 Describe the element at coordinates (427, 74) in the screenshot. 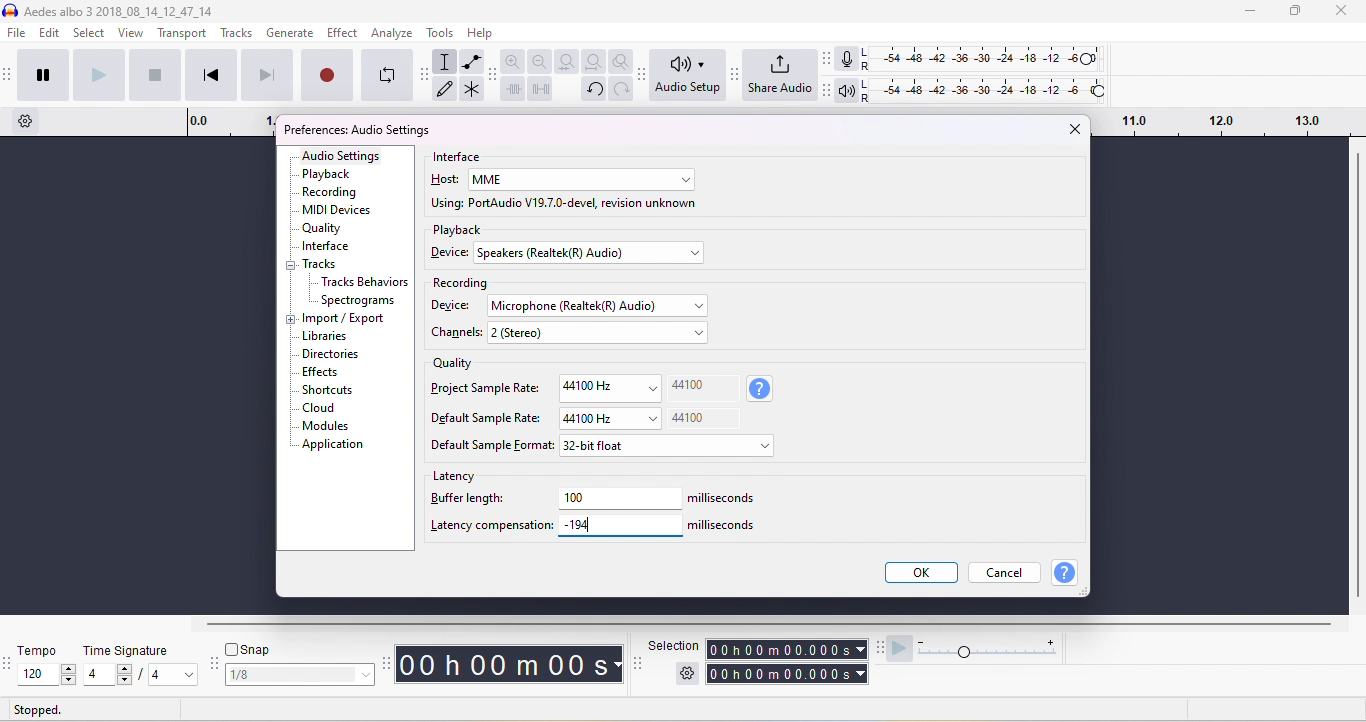

I see `audacity tools toolbar` at that location.